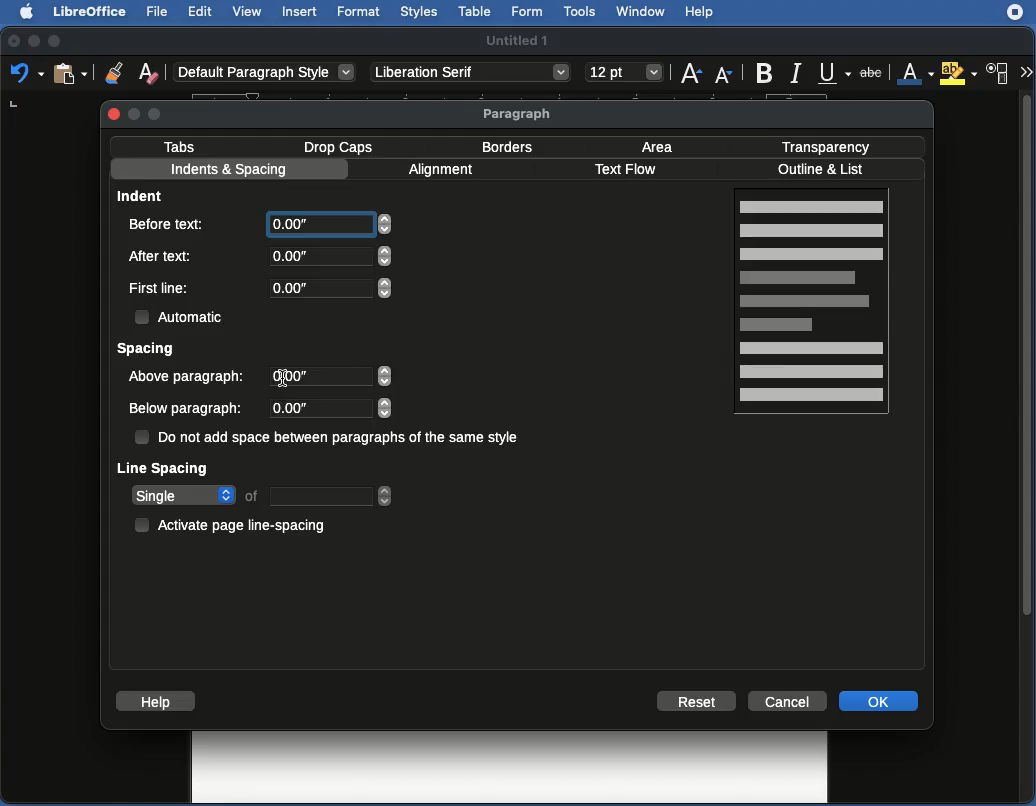 This screenshot has width=1036, height=806. Describe the element at coordinates (998, 74) in the screenshot. I see `Character` at that location.